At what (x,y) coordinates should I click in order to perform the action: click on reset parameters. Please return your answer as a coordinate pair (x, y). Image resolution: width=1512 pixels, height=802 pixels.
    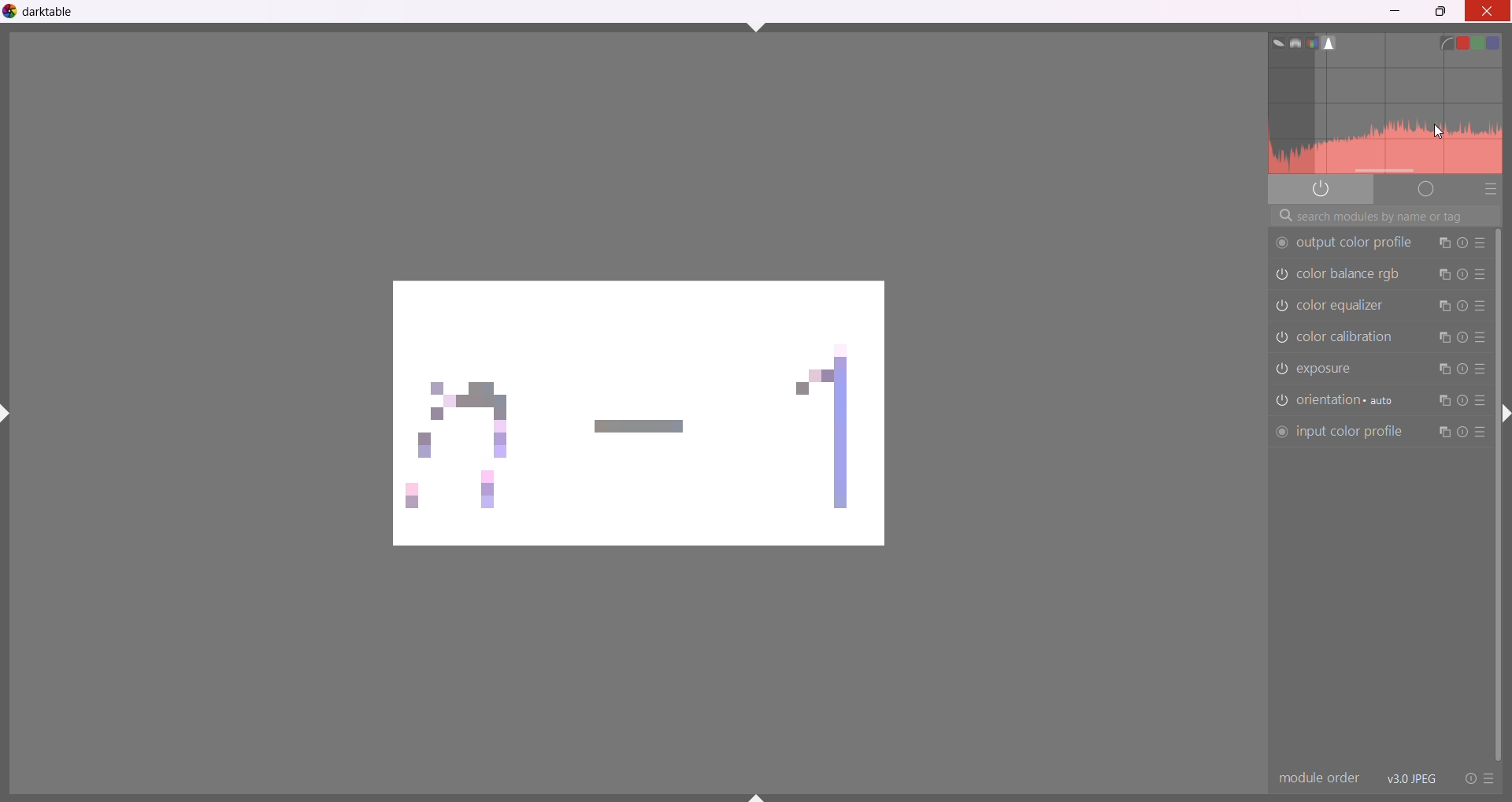
    Looking at the image, I should click on (1463, 339).